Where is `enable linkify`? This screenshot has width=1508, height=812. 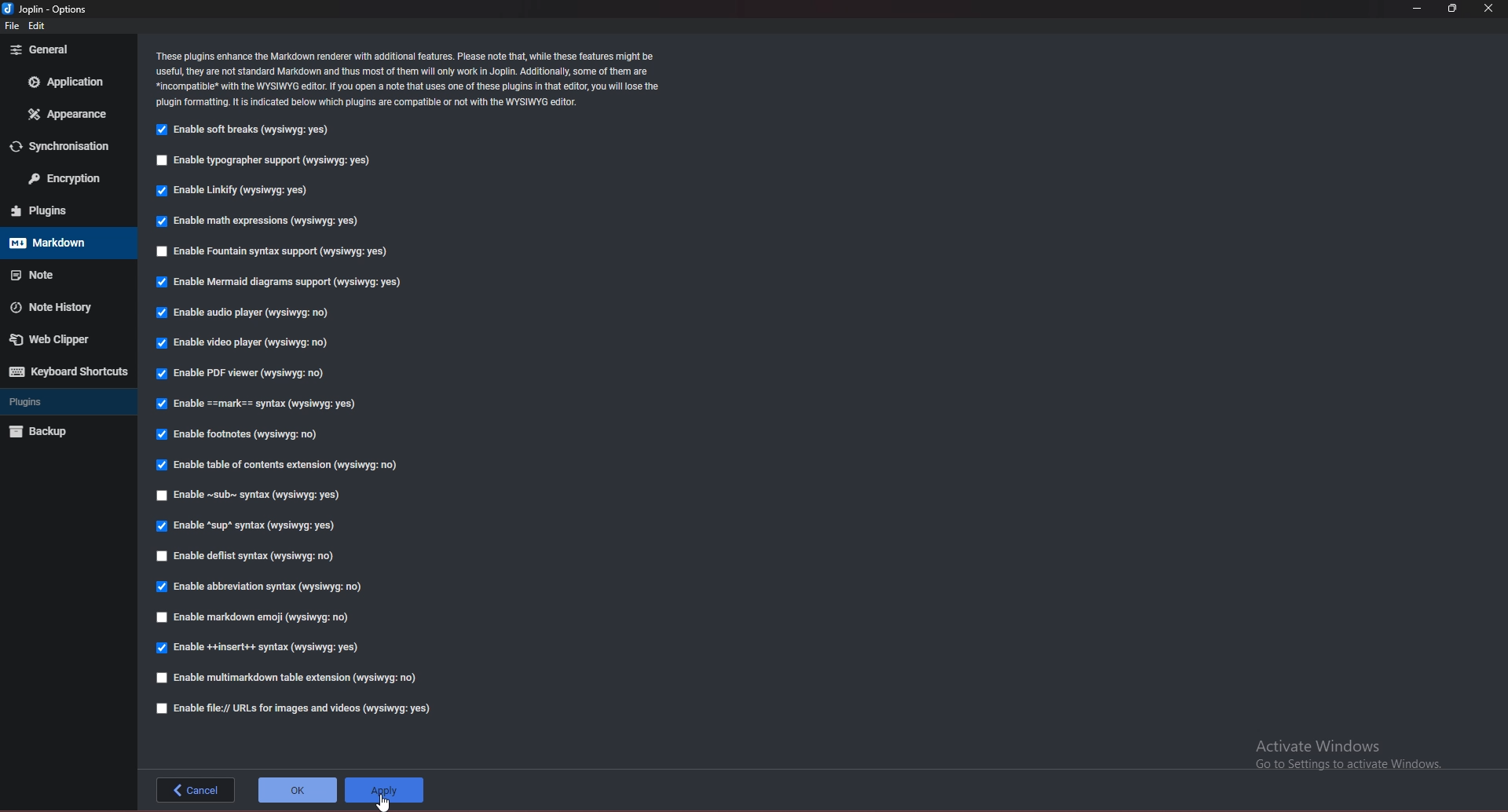
enable linkify is located at coordinates (239, 189).